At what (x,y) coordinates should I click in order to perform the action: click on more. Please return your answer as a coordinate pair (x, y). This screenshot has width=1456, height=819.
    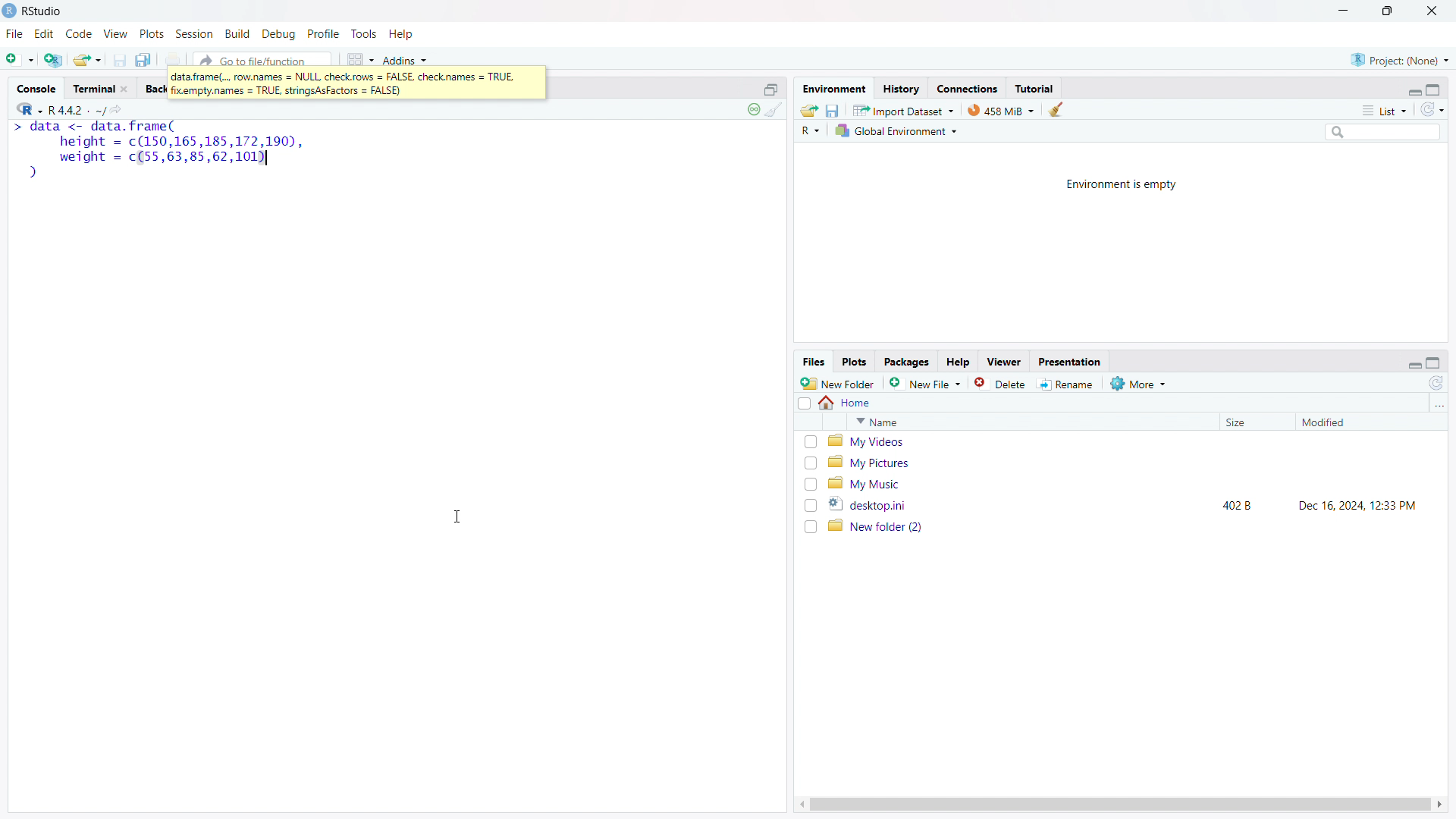
    Looking at the image, I should click on (1140, 383).